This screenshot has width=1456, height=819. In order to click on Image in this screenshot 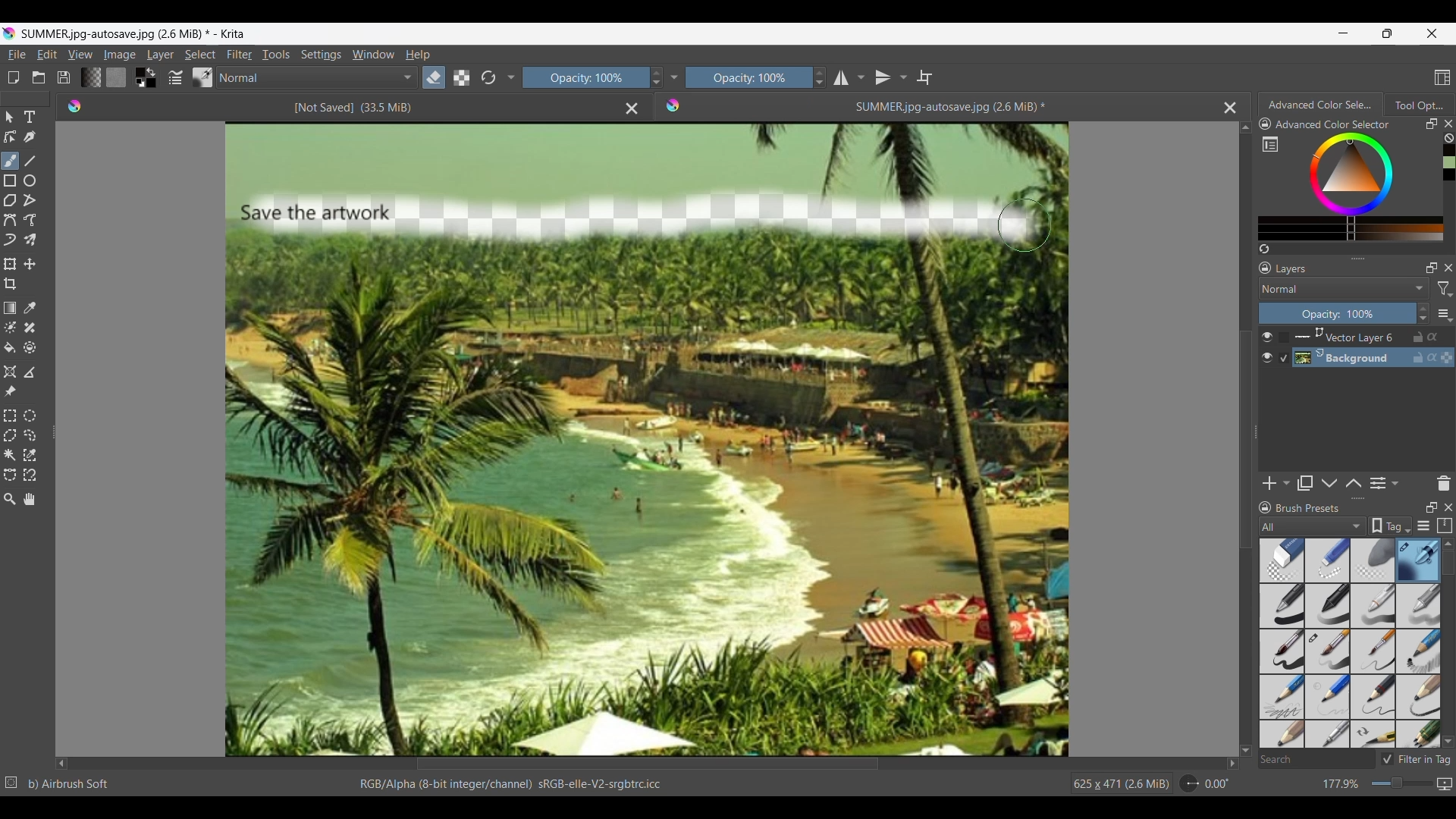, I will do `click(119, 55)`.